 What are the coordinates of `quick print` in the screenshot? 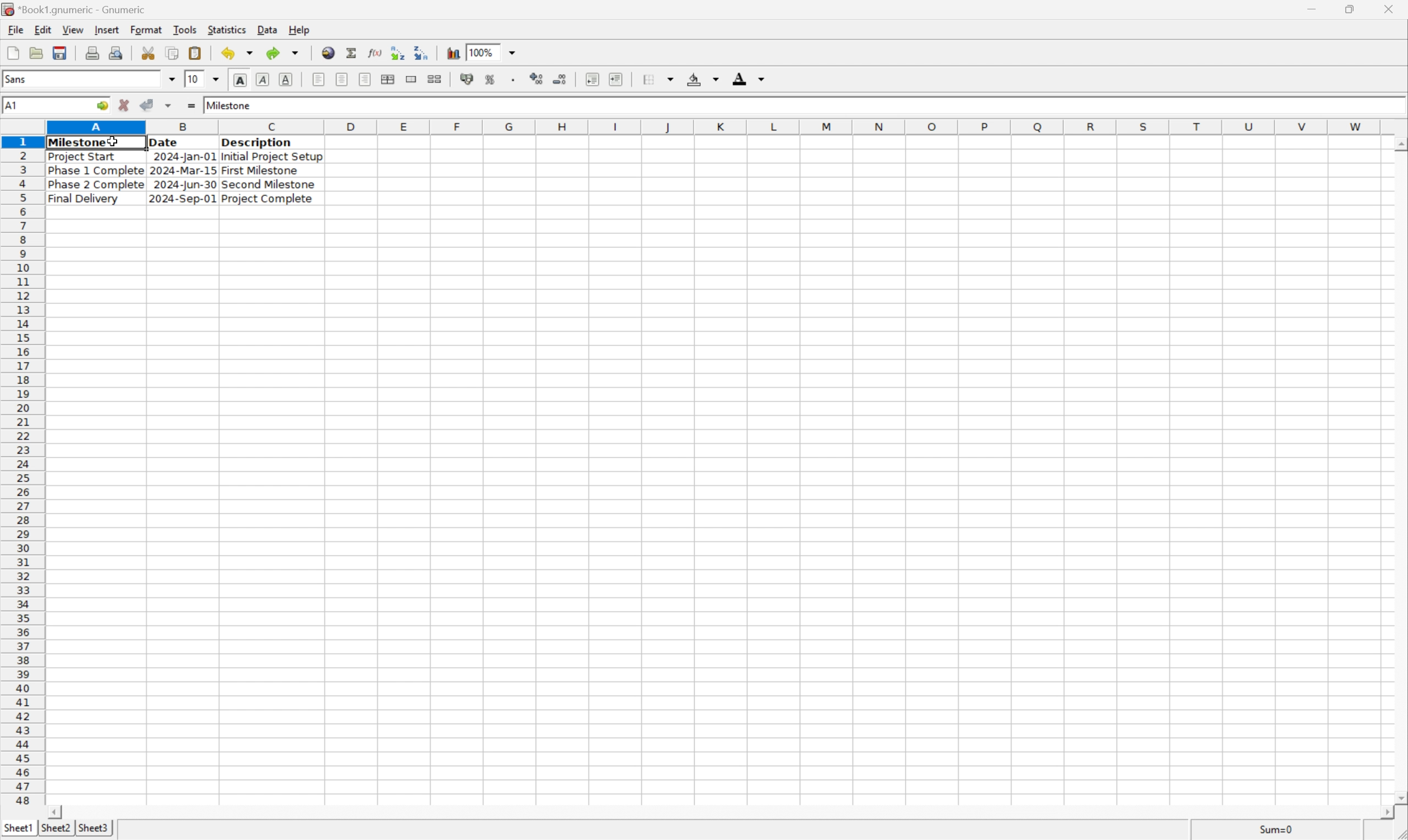 It's located at (117, 53).